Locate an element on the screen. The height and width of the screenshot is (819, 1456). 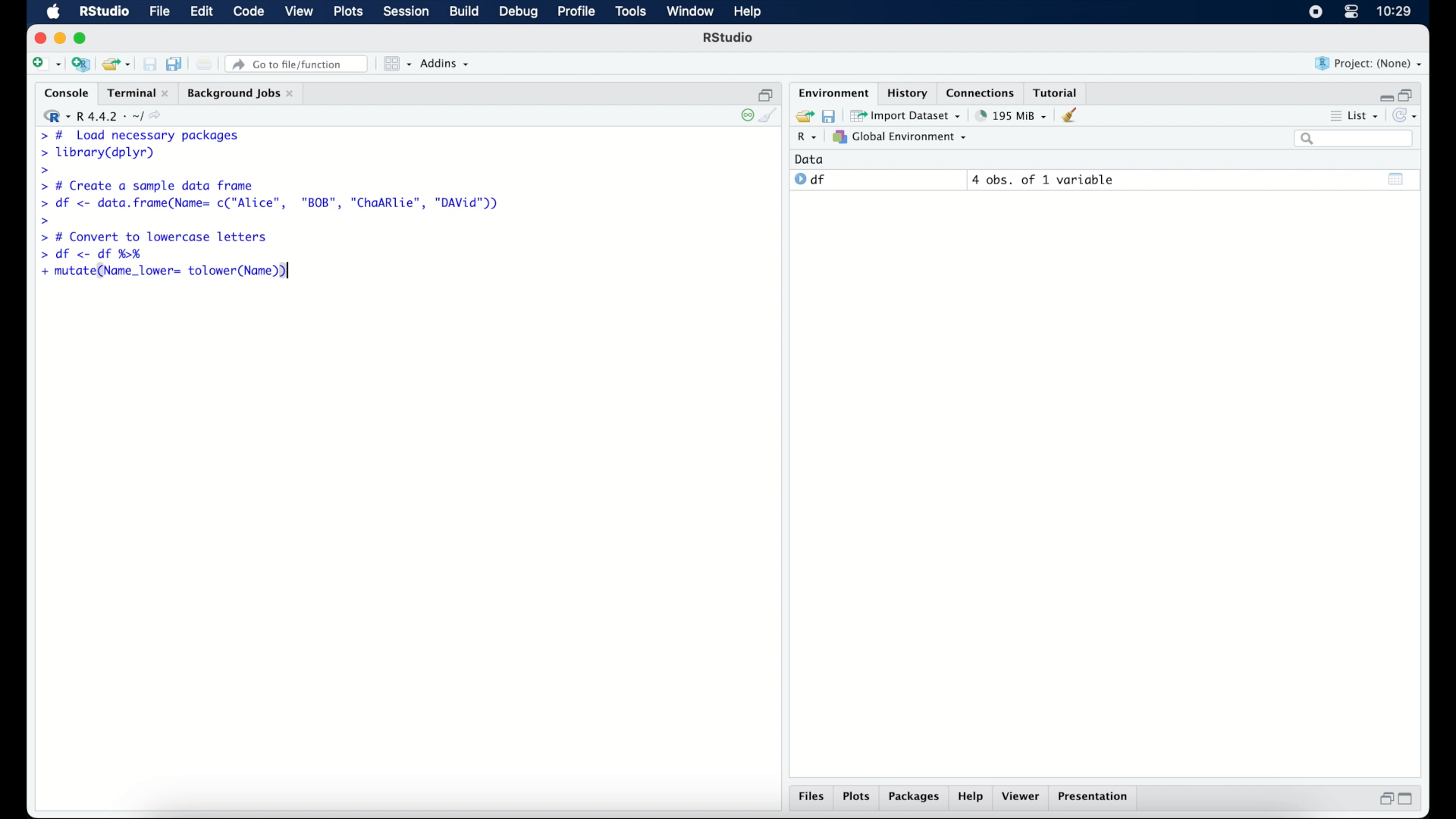
minimize is located at coordinates (1384, 94).